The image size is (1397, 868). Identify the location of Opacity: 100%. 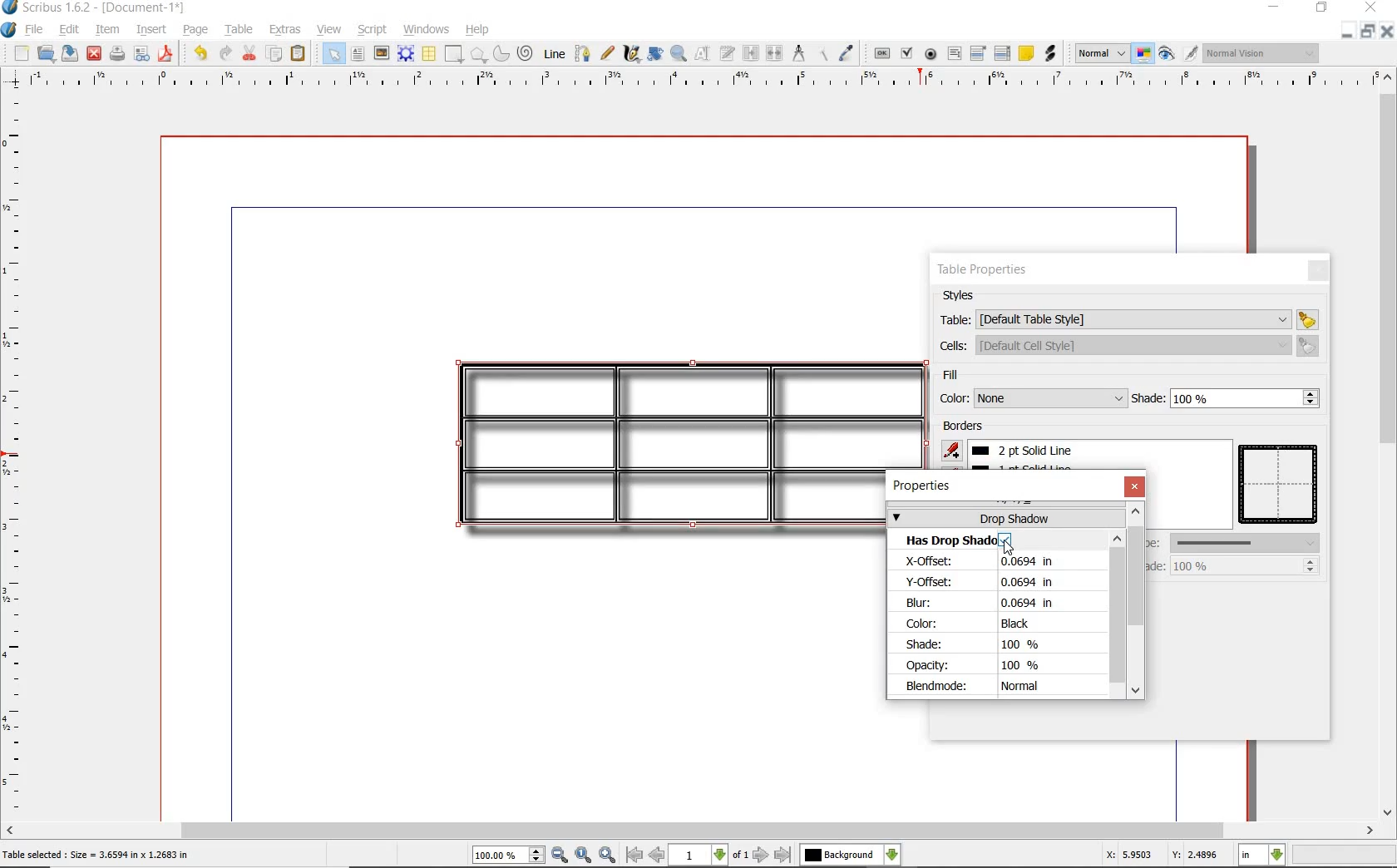
(980, 665).